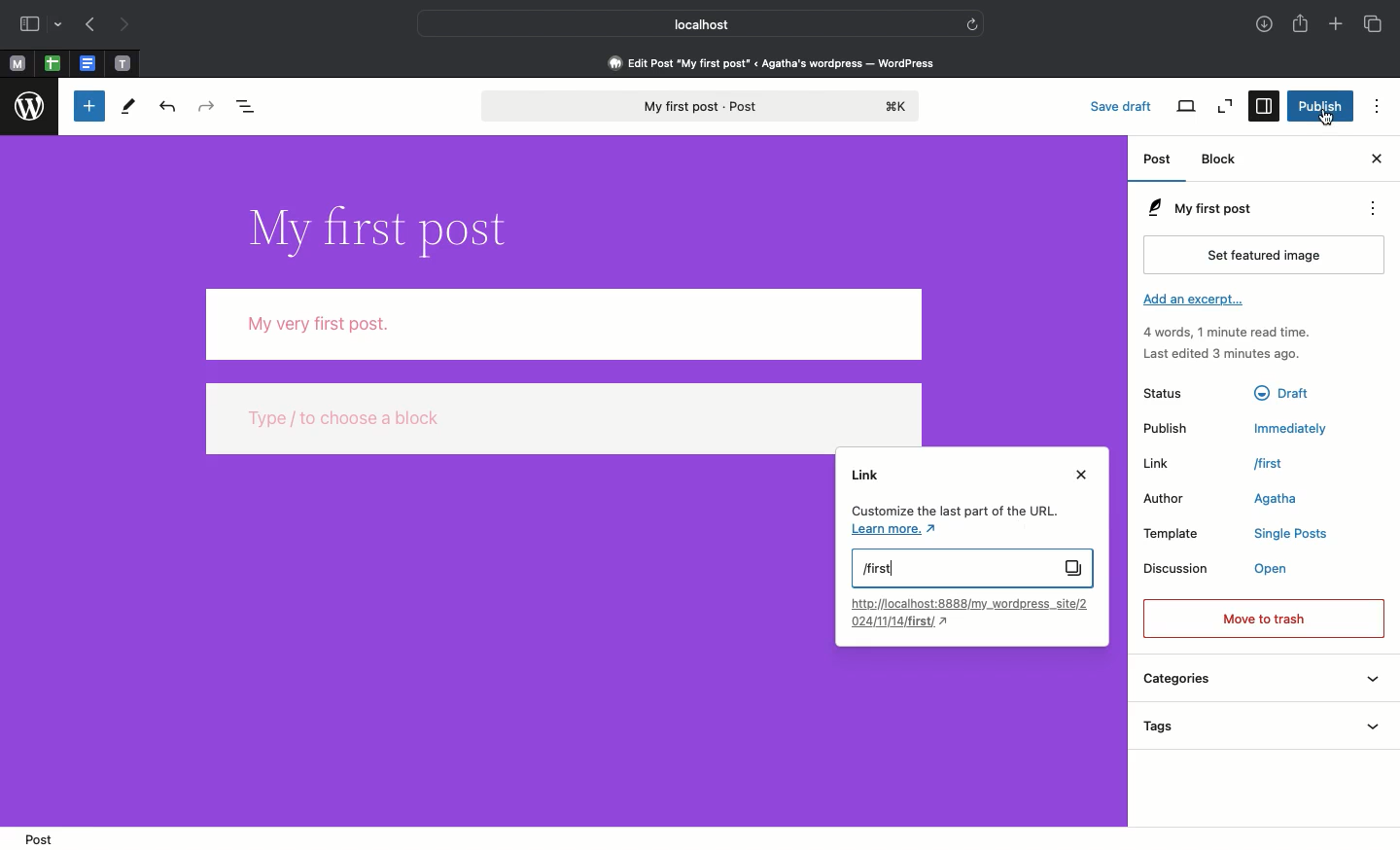 Image resolution: width=1400 pixels, height=850 pixels. Describe the element at coordinates (1191, 300) in the screenshot. I see `Add an excerpt` at that location.